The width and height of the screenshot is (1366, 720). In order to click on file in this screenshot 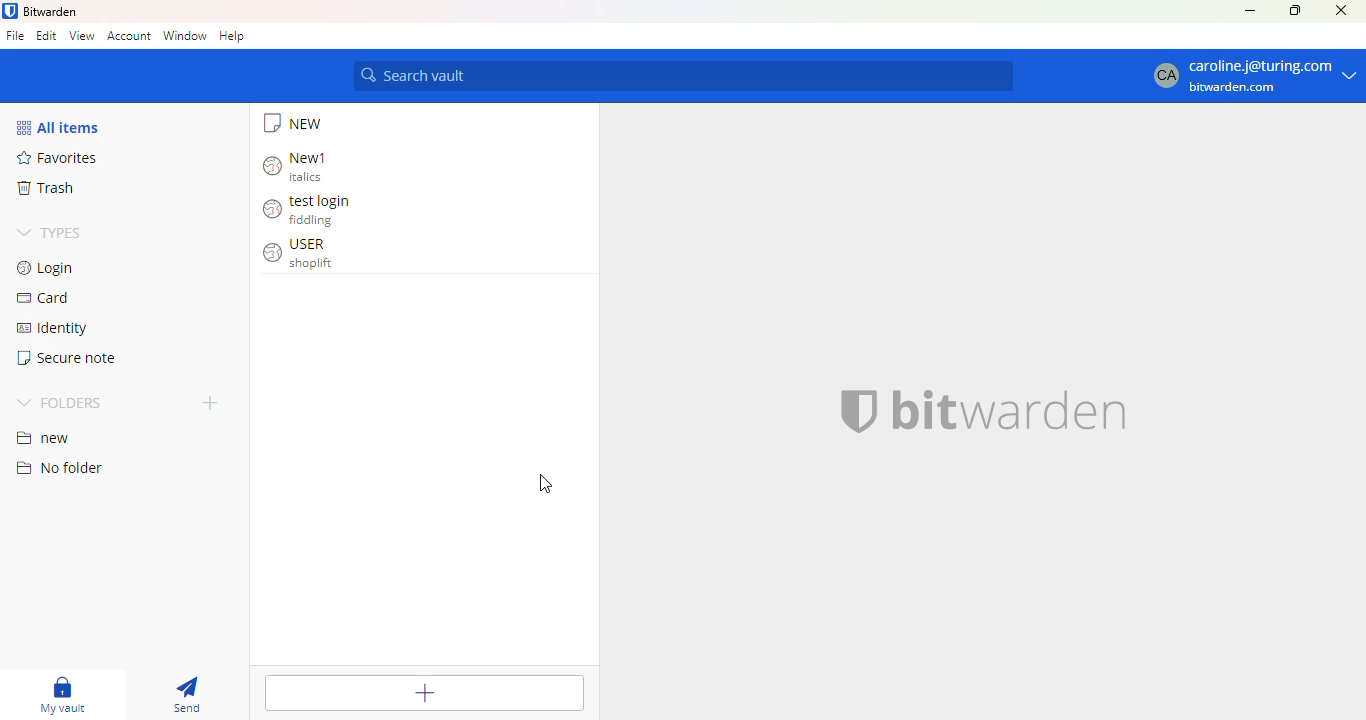, I will do `click(15, 35)`.